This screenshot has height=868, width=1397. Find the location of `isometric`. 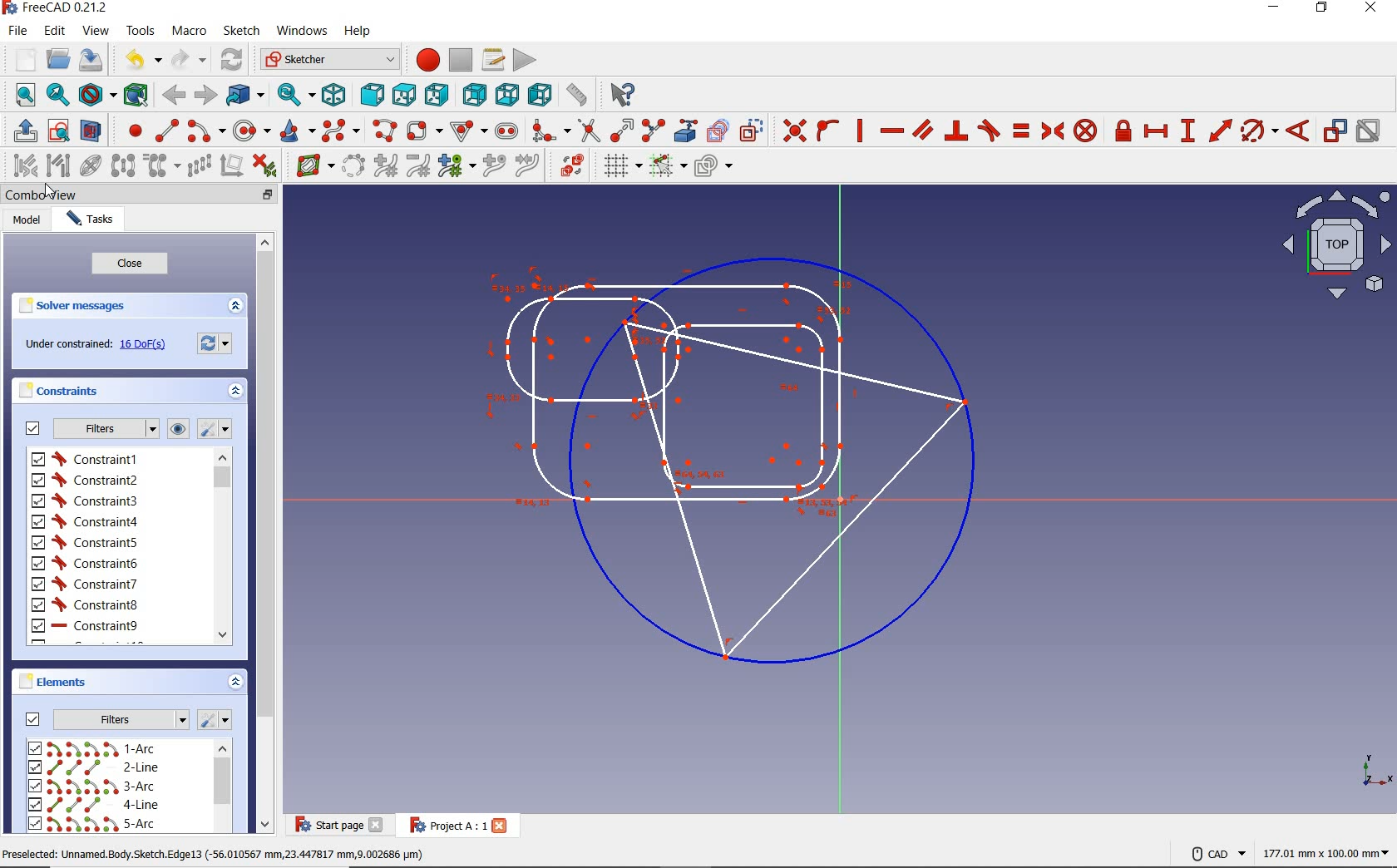

isometric is located at coordinates (335, 95).